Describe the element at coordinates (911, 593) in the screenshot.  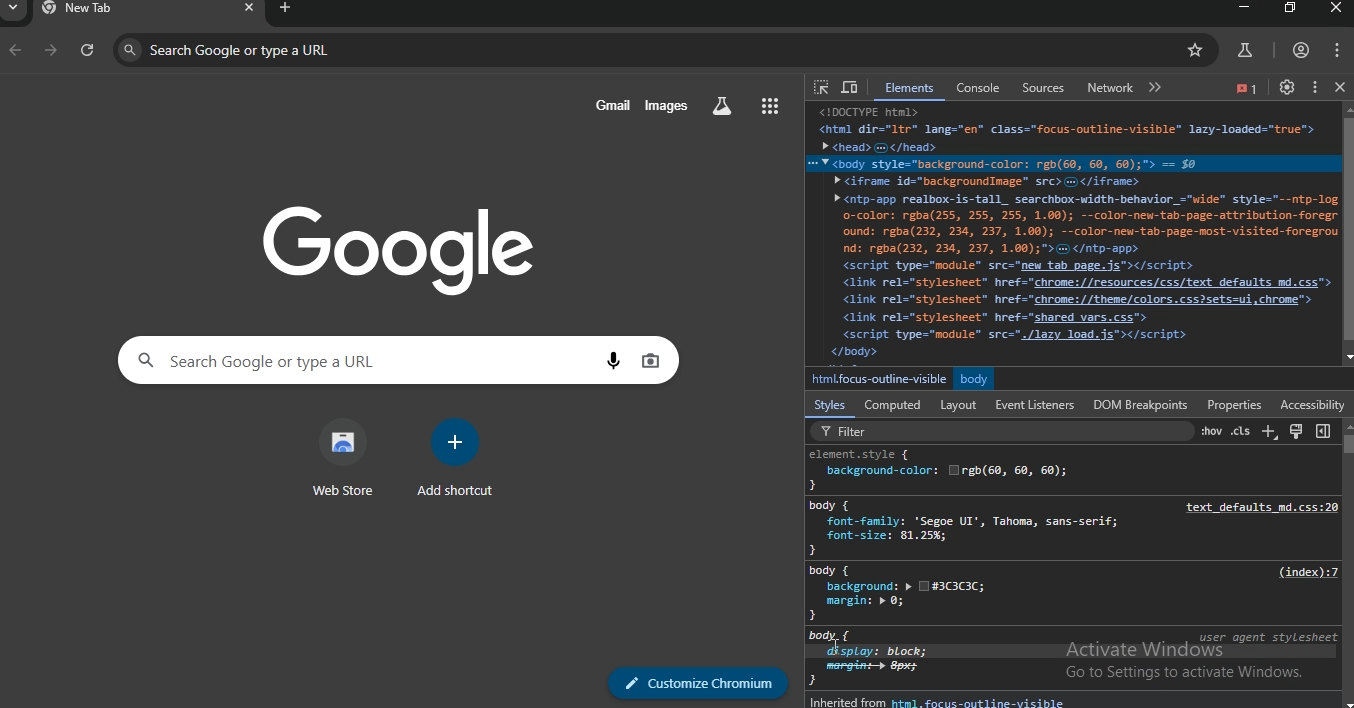
I see `body {background: » [1#3G33C;margin: » 0;}` at that location.